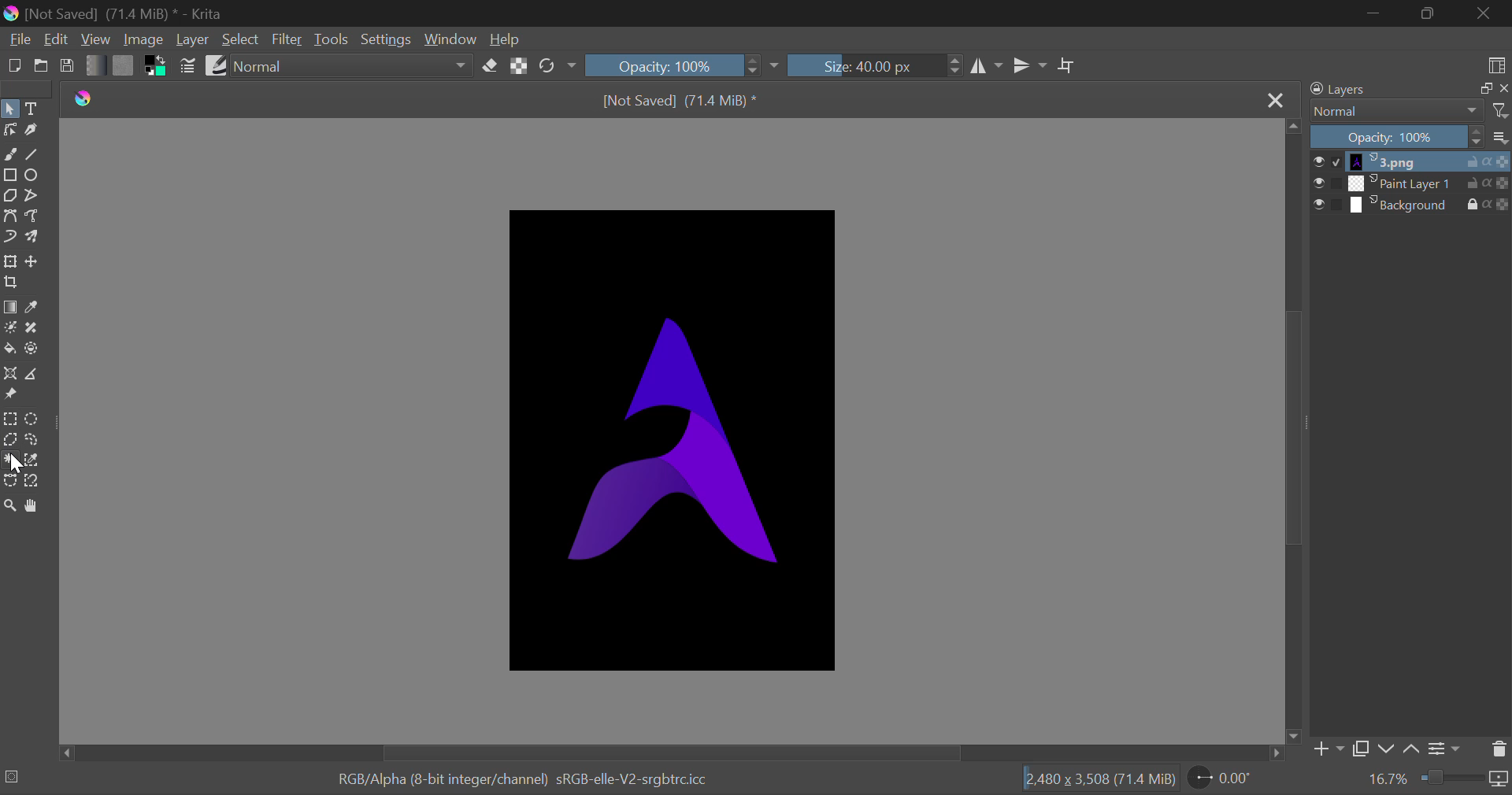 The image size is (1512, 795). What do you see at coordinates (1430, 13) in the screenshot?
I see `Minimize` at bounding box center [1430, 13].